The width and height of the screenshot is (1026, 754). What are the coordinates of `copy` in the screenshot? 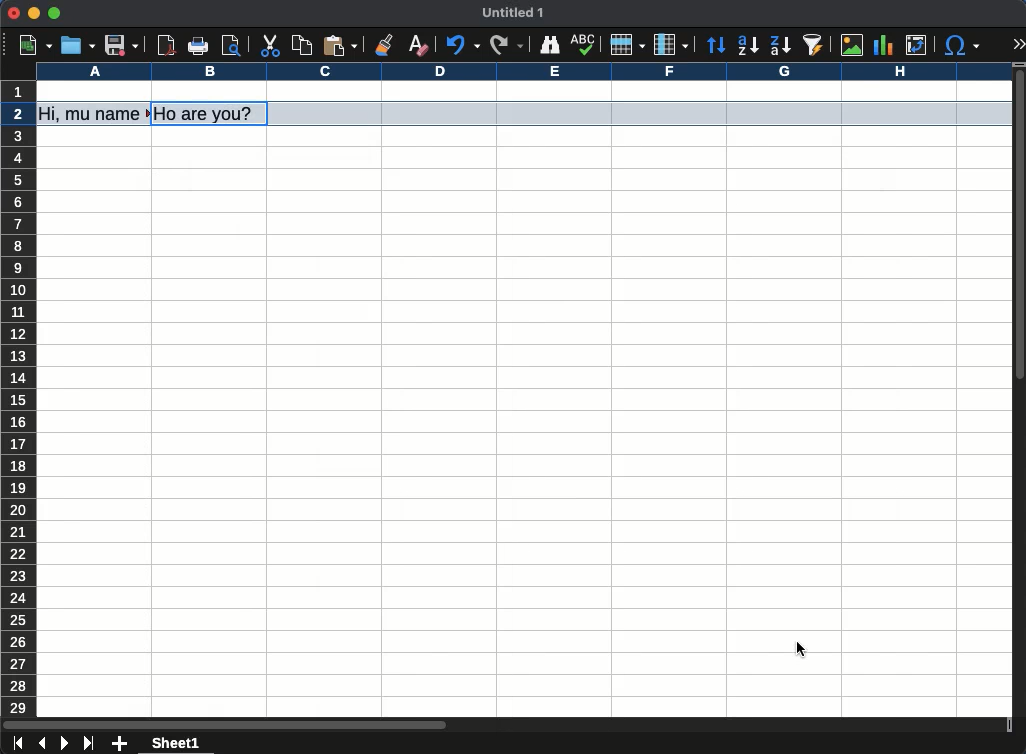 It's located at (302, 46).